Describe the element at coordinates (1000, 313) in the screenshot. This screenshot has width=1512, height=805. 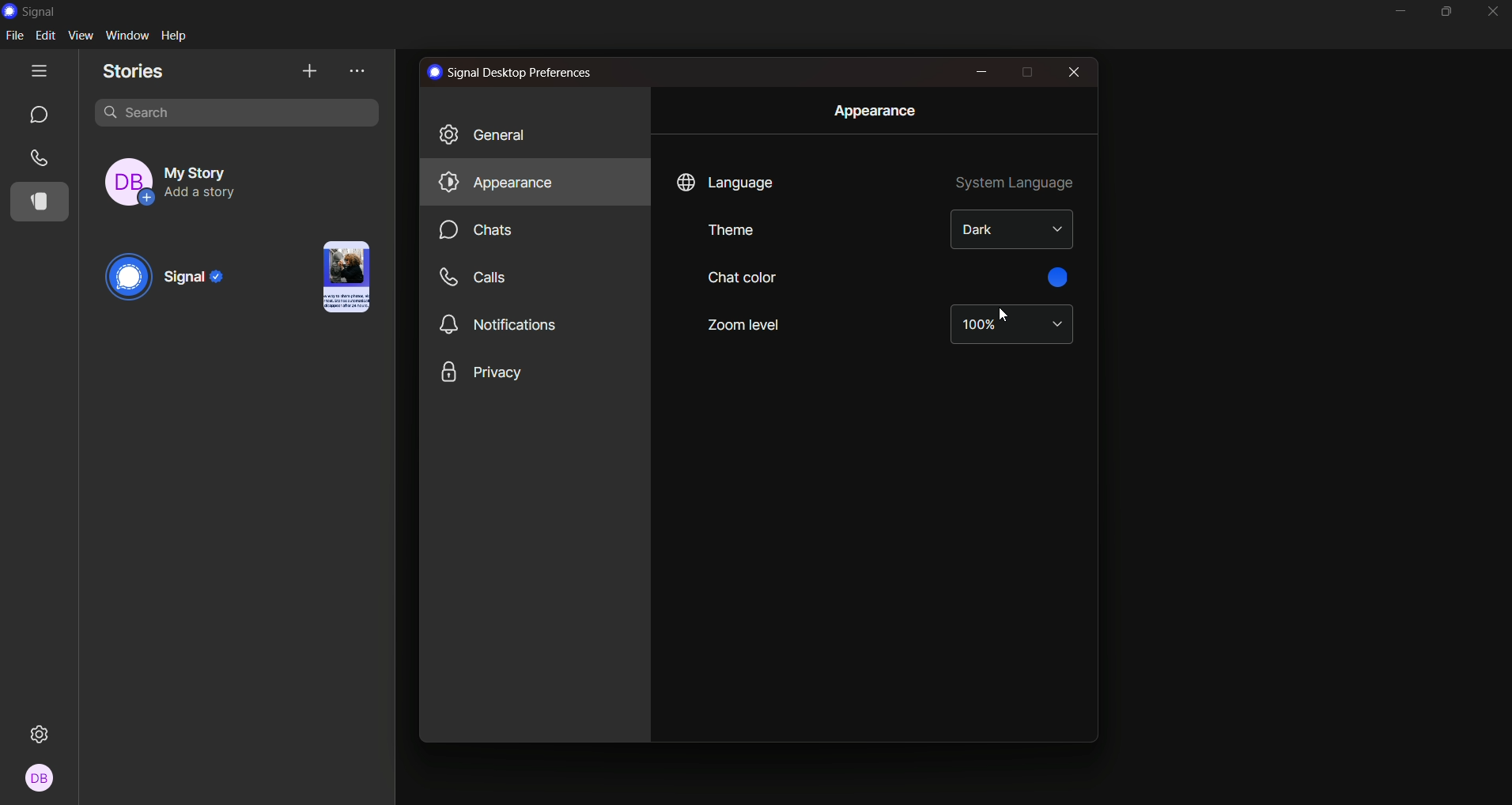
I see `cursor` at that location.